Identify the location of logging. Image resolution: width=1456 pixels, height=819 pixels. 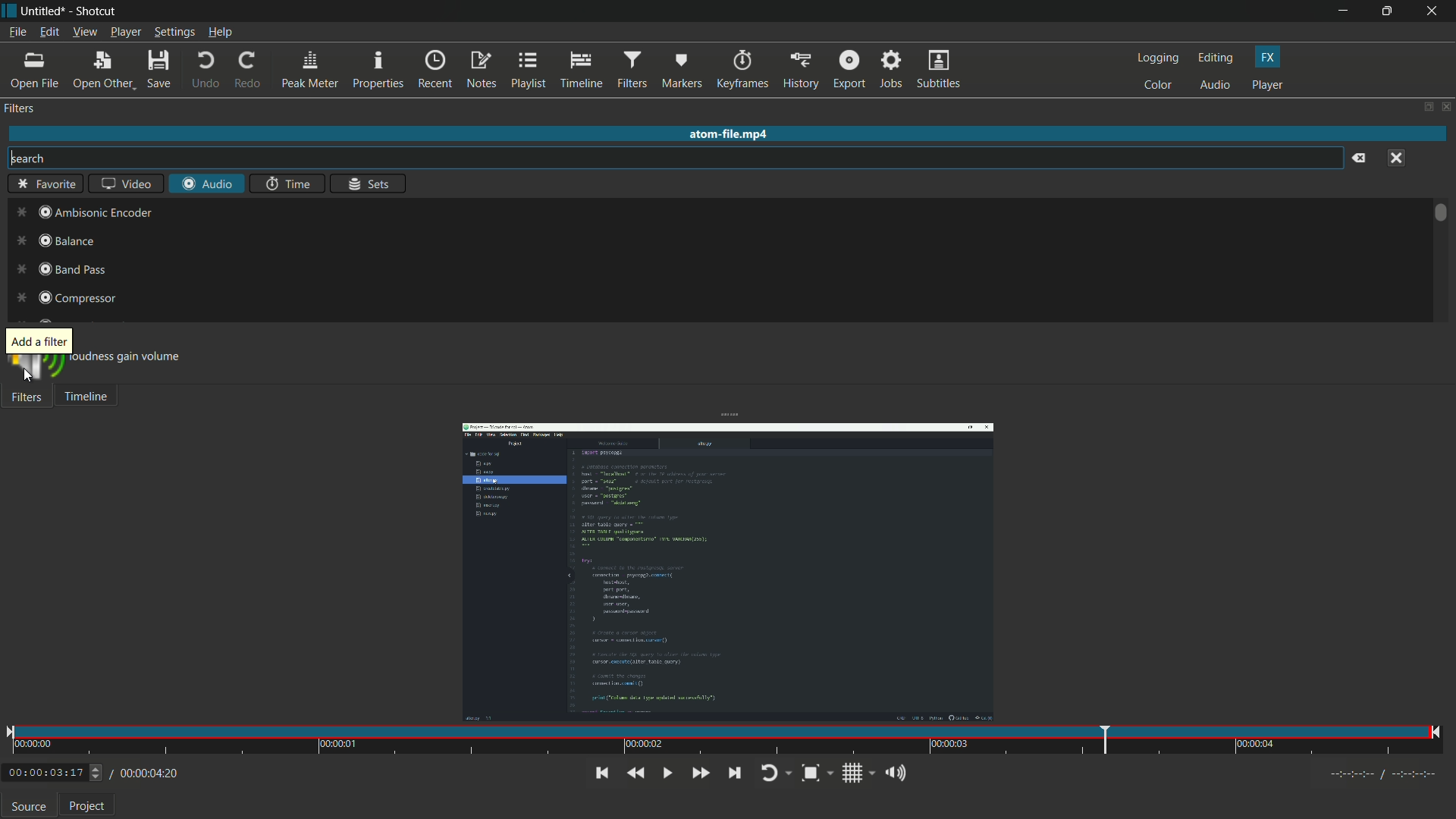
(1157, 58).